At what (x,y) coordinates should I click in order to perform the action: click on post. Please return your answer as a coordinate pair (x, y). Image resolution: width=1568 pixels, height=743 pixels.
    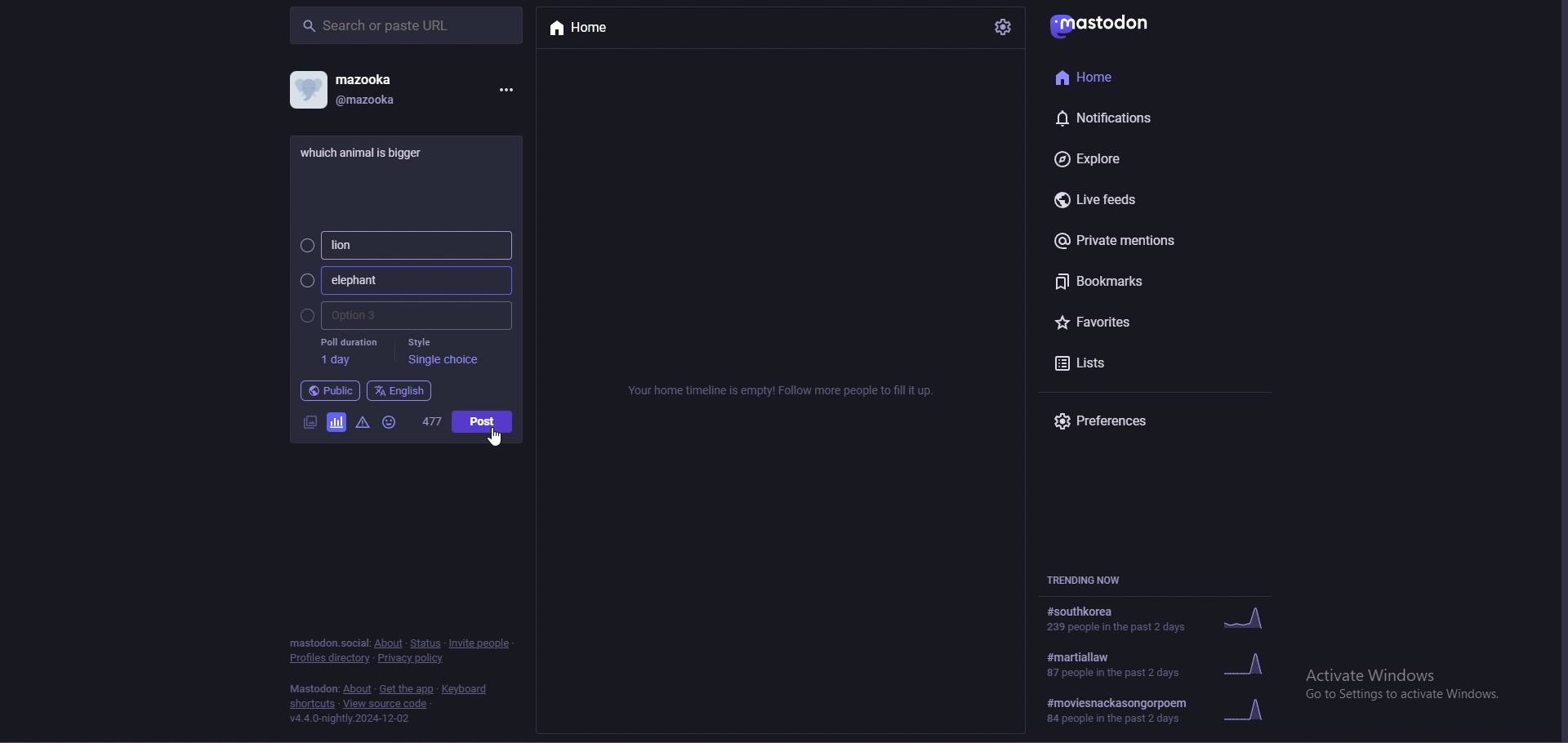
    Looking at the image, I should click on (370, 151).